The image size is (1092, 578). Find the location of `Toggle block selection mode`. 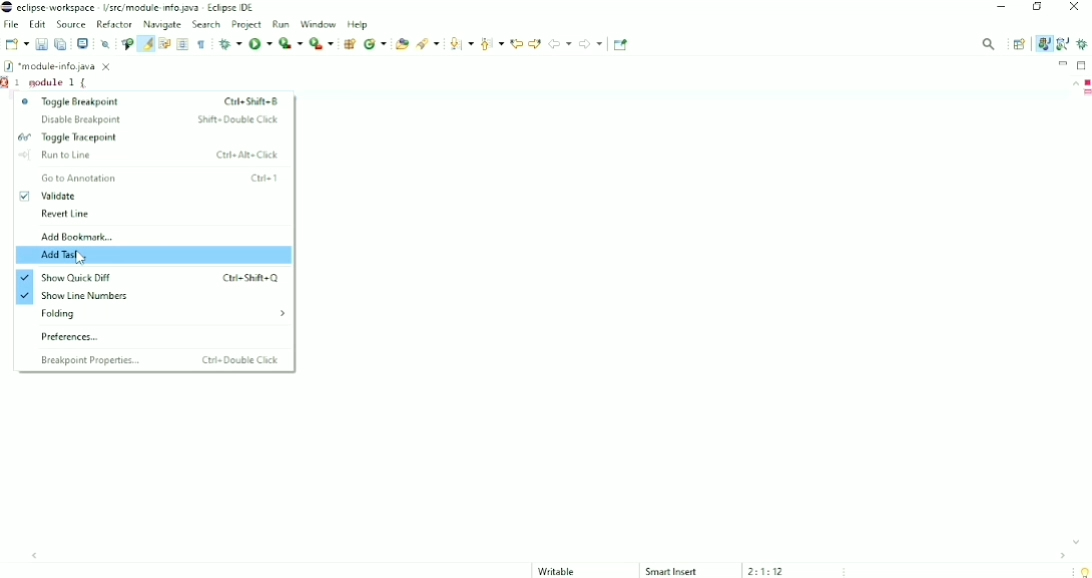

Toggle block selection mode is located at coordinates (183, 44).